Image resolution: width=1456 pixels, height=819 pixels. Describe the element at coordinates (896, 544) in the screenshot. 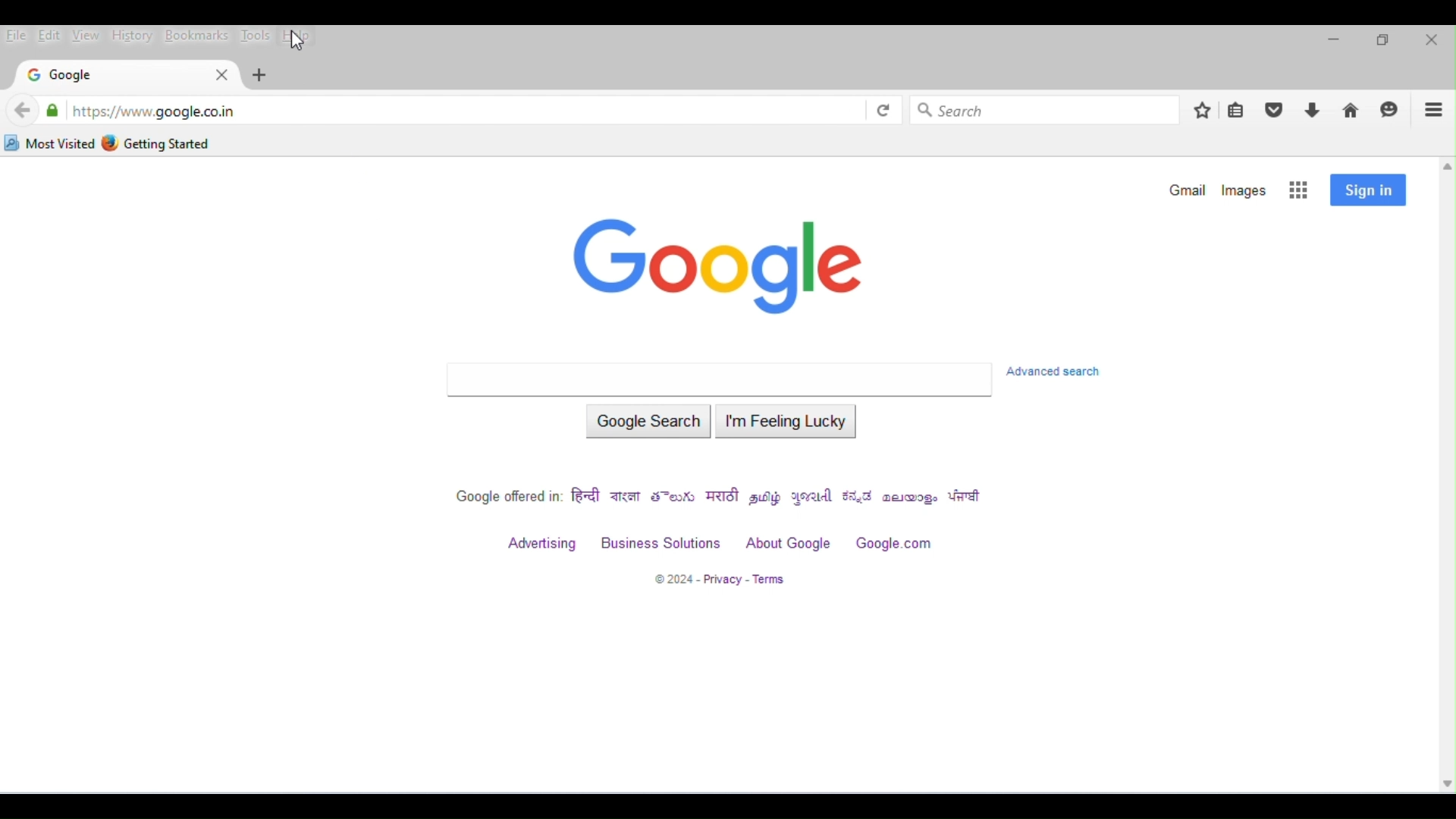

I see `google.com` at that location.